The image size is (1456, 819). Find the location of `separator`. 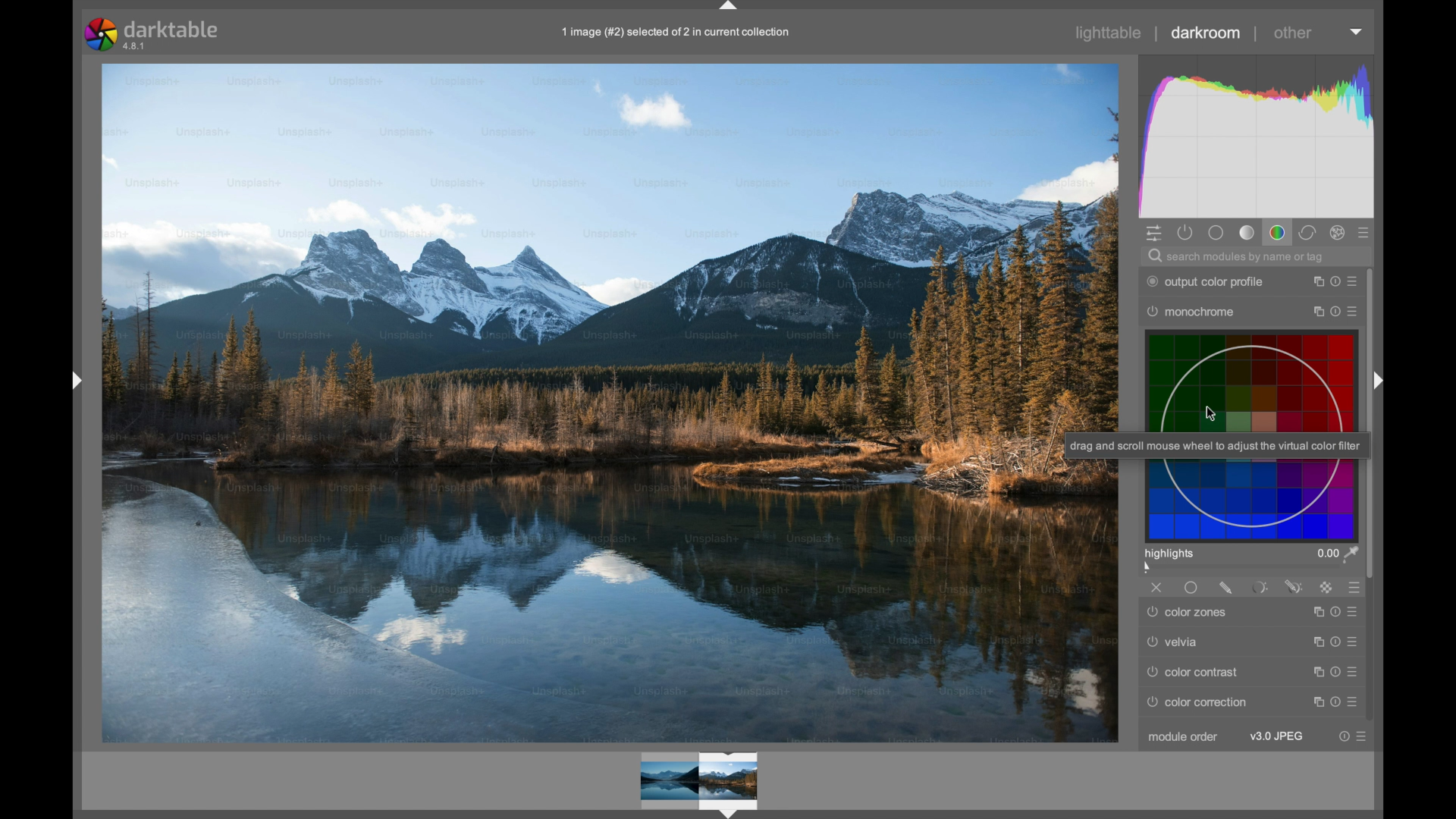

separator is located at coordinates (1156, 34).